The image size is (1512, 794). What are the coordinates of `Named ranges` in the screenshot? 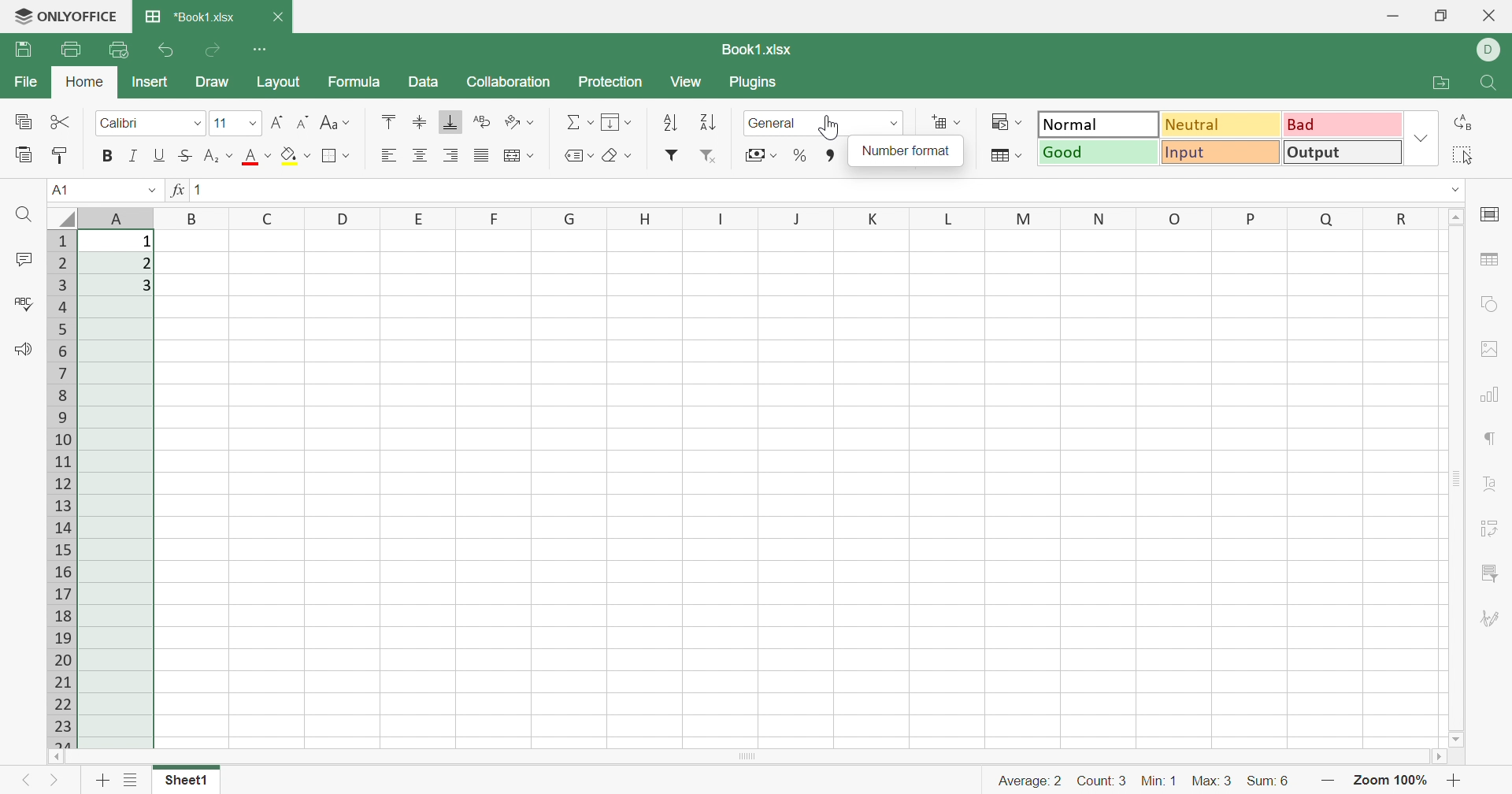 It's located at (576, 155).